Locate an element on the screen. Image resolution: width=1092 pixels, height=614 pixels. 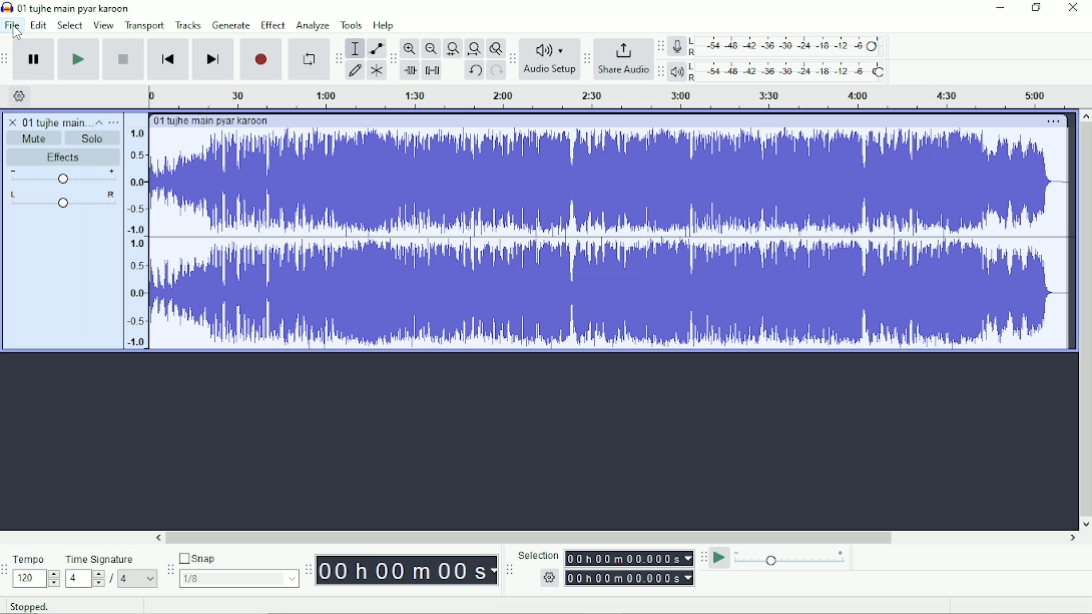
Minimize is located at coordinates (1001, 9).